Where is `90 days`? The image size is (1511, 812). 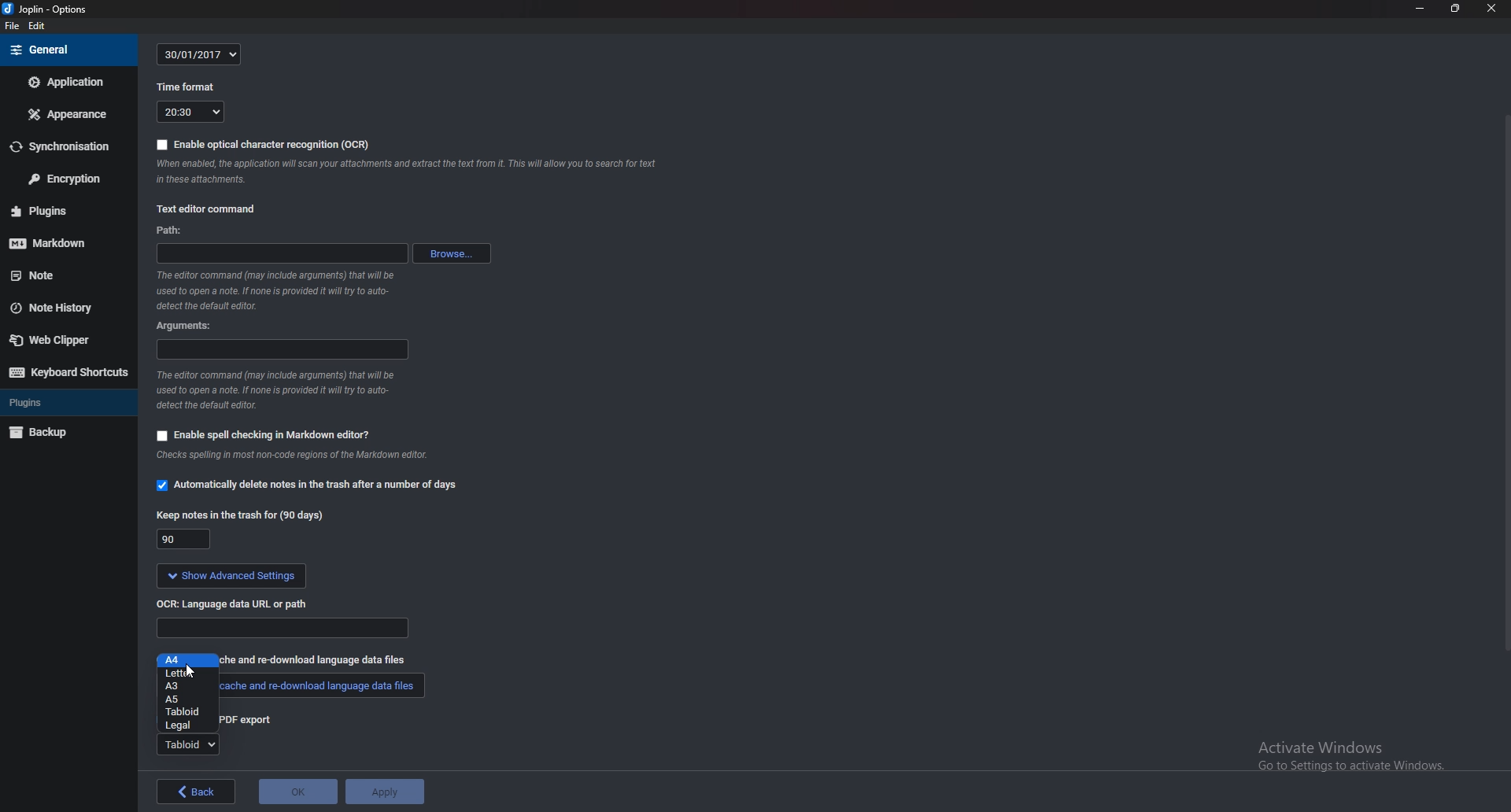 90 days is located at coordinates (183, 541).